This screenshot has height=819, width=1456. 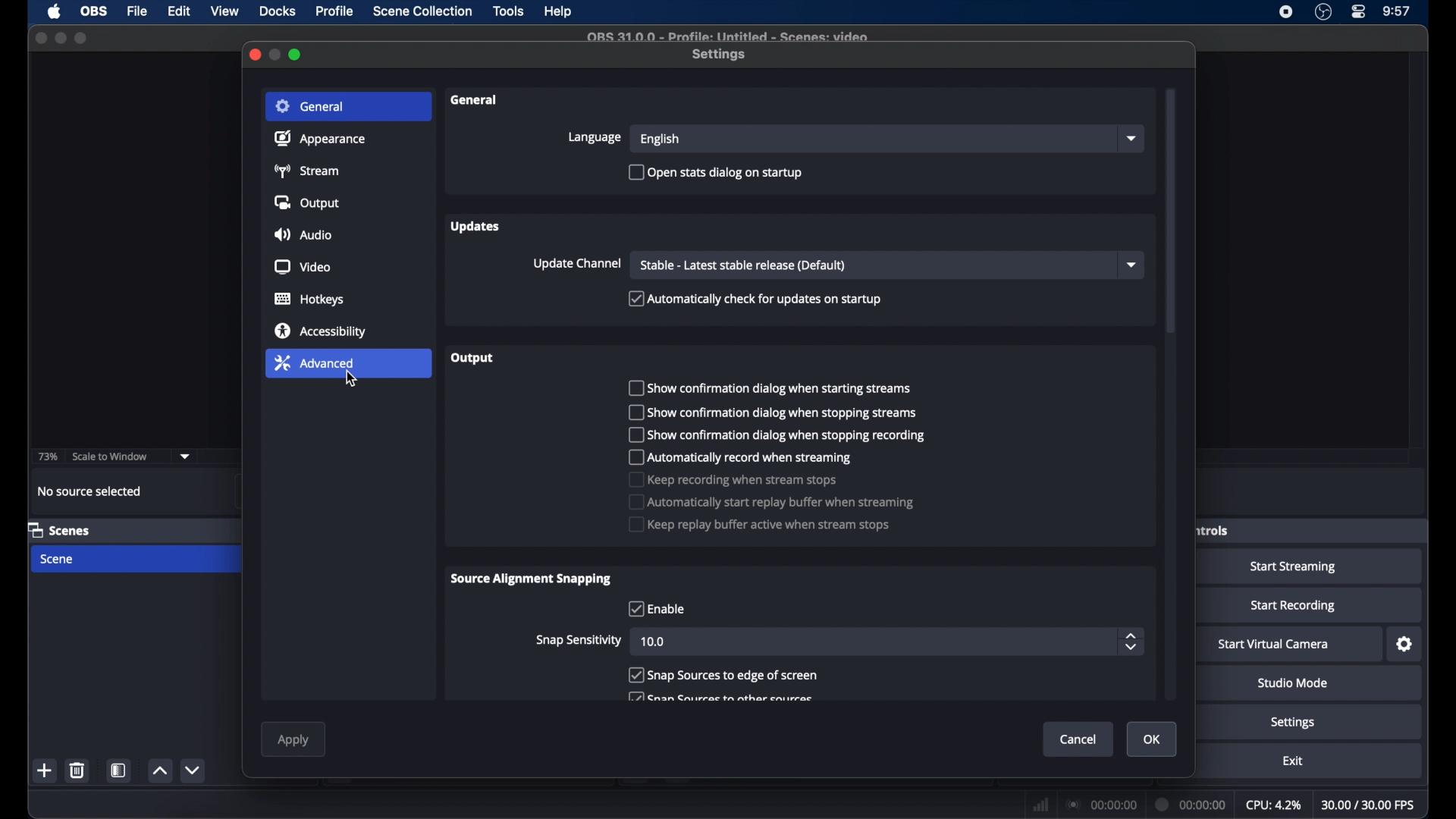 I want to click on source alignment snapping, so click(x=533, y=580).